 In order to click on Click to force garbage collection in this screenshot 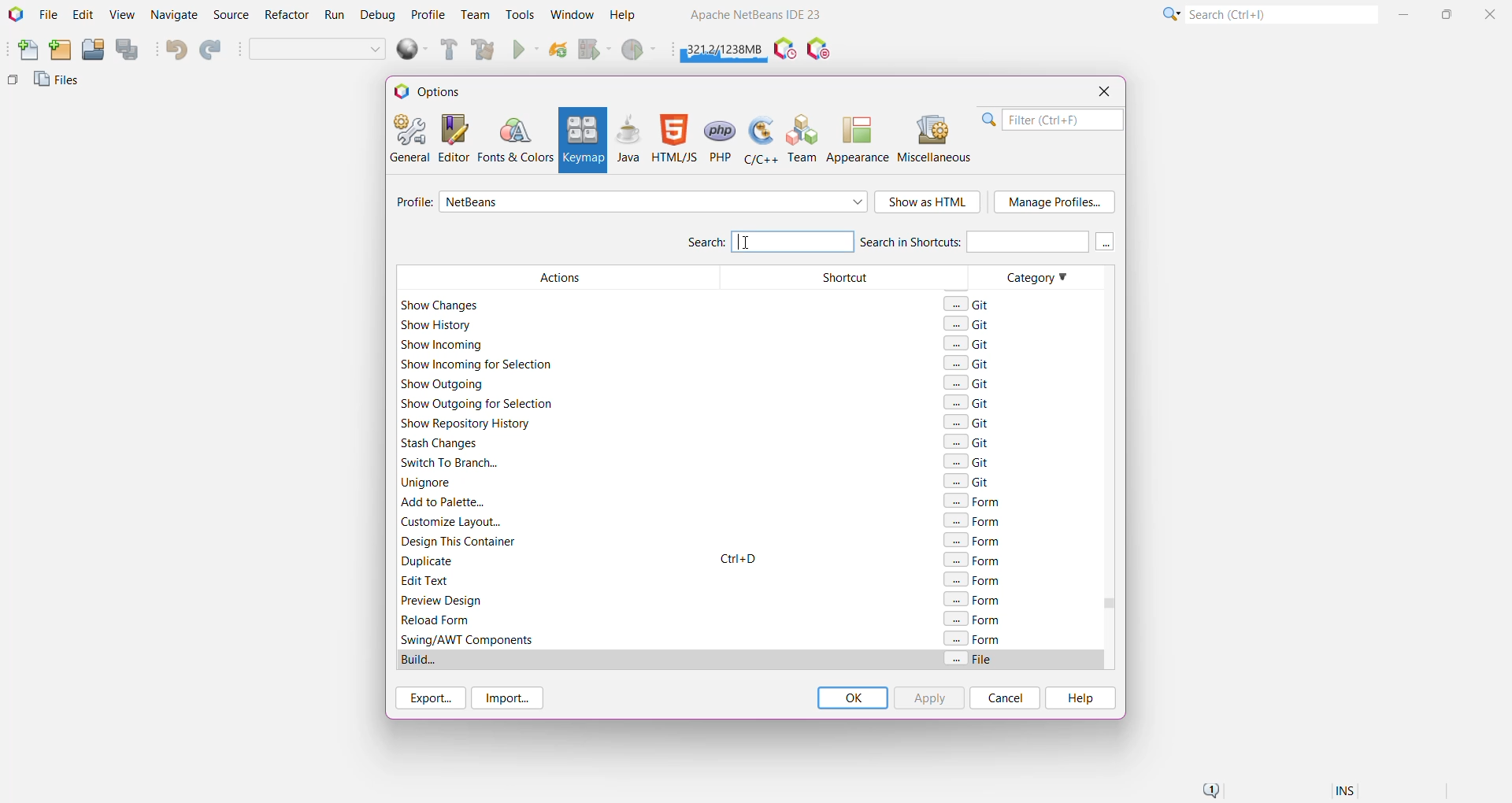, I will do `click(724, 47)`.